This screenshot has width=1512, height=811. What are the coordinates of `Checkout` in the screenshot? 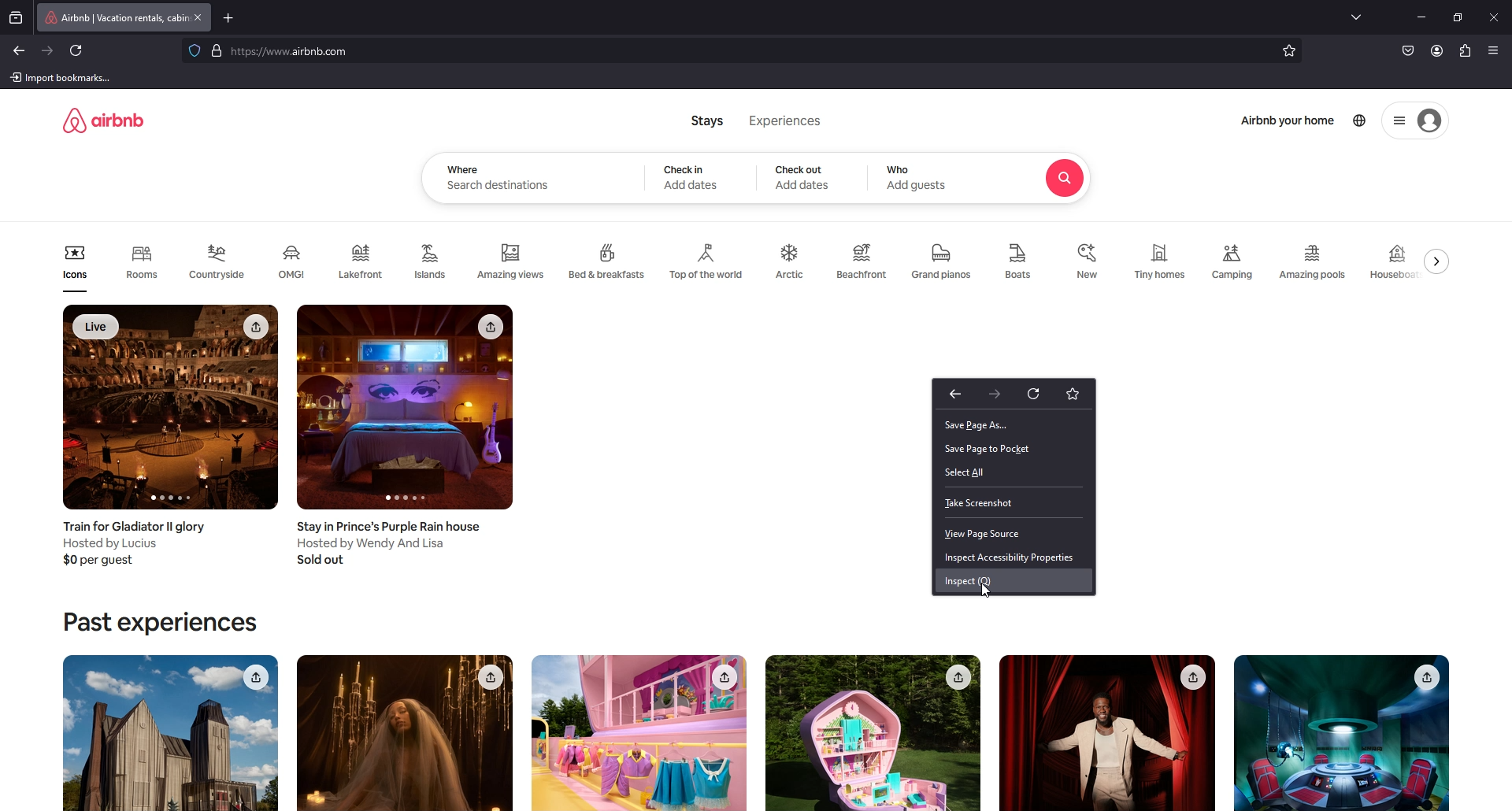 It's located at (800, 169).